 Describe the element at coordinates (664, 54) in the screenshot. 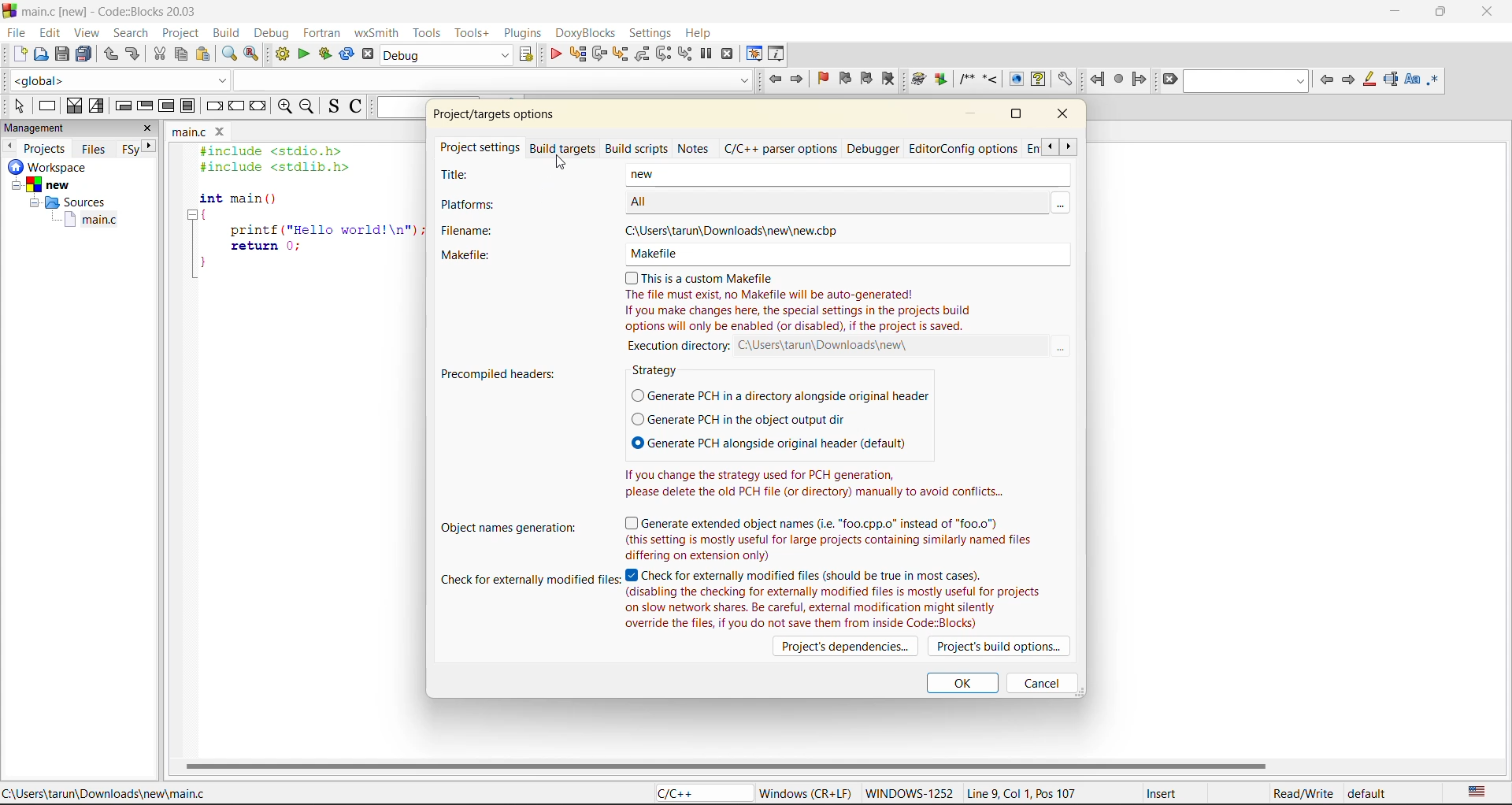

I see `next instruction` at that location.